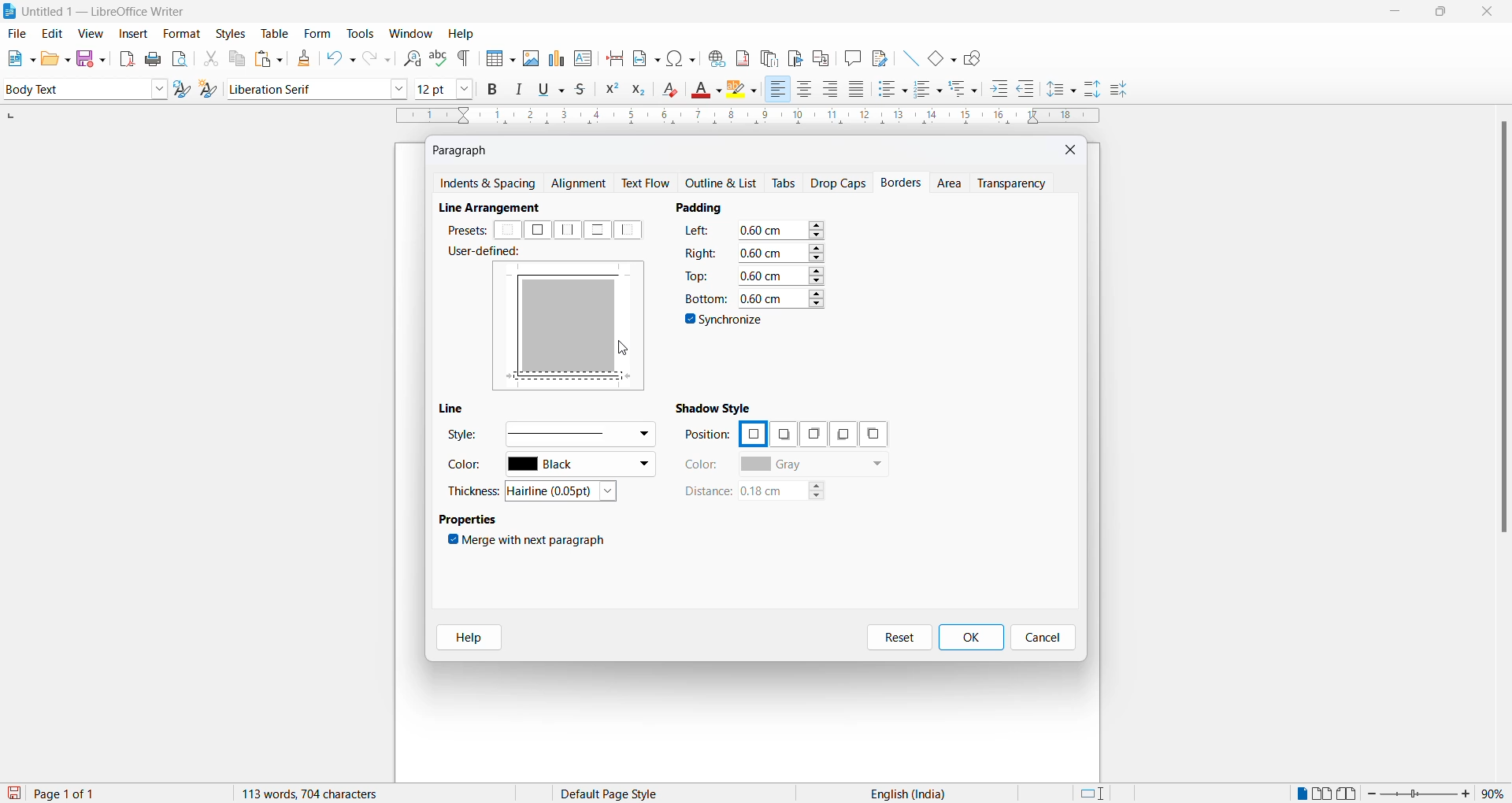 This screenshot has width=1512, height=803. What do you see at coordinates (1064, 90) in the screenshot?
I see `line spacing` at bounding box center [1064, 90].